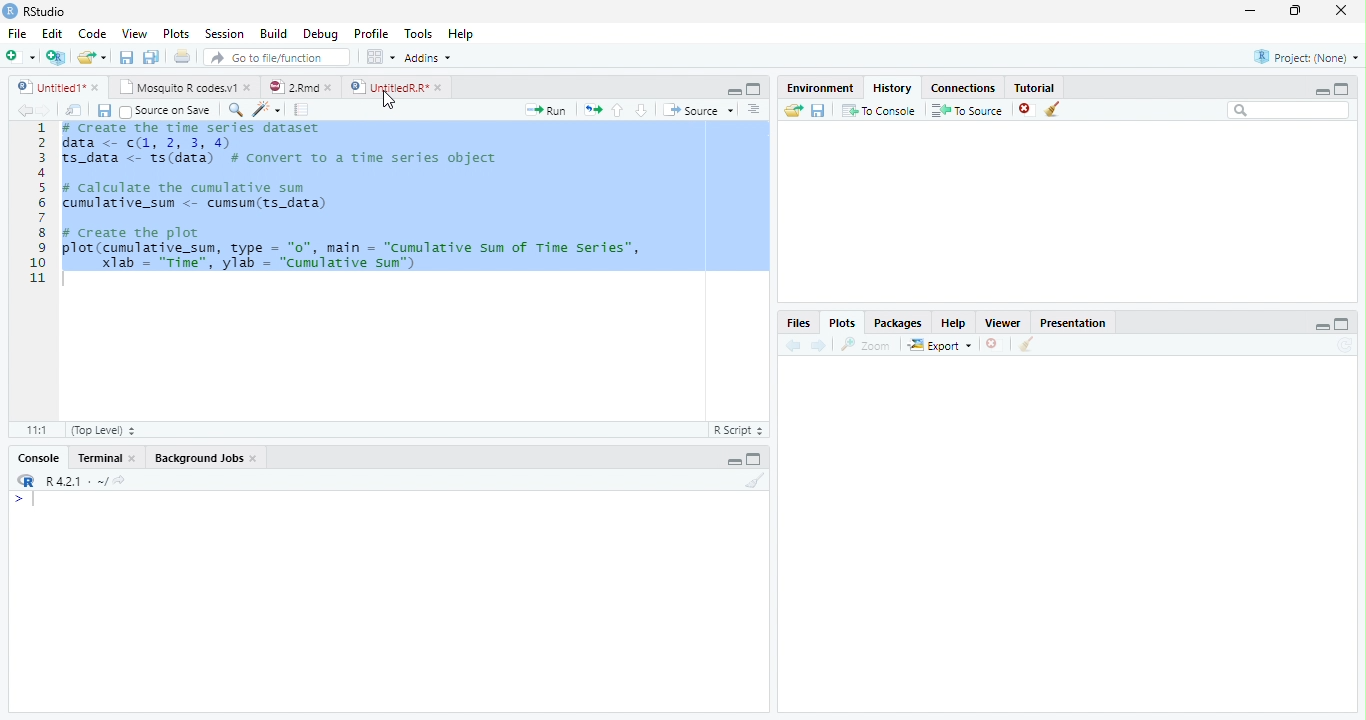  I want to click on Delete, so click(992, 344).